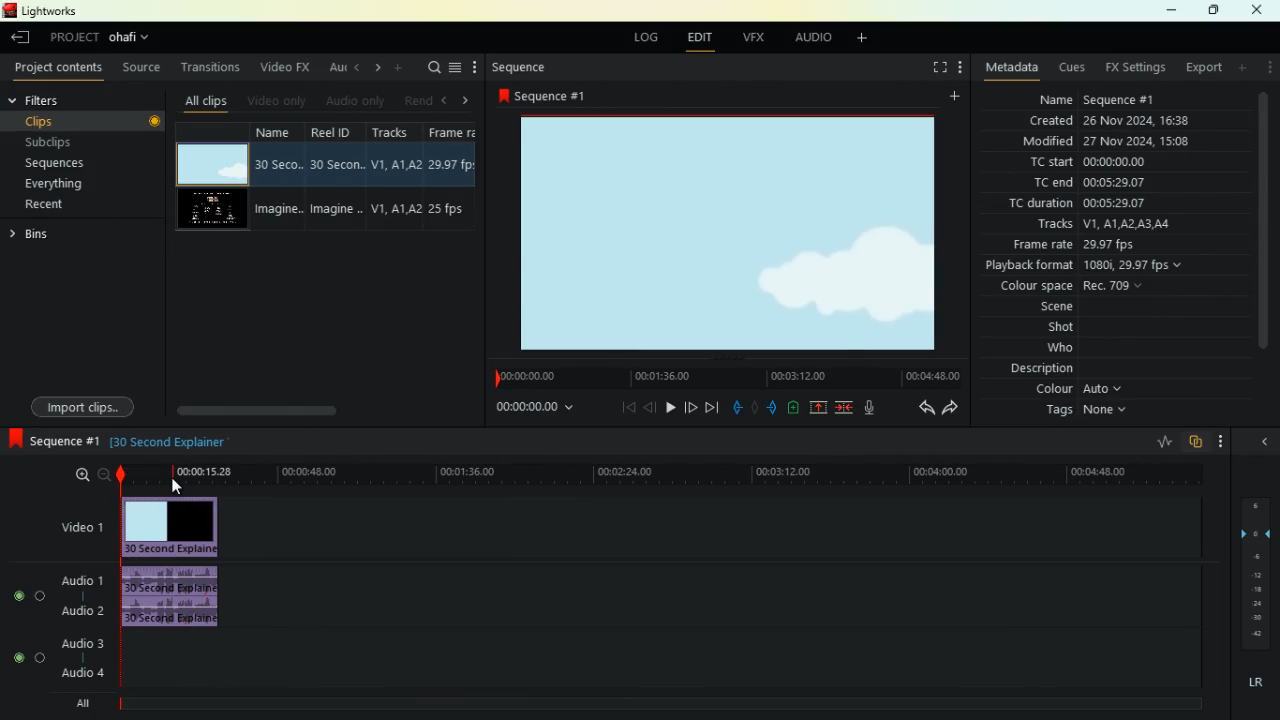 The image size is (1280, 720). What do you see at coordinates (1239, 67) in the screenshot?
I see `add` at bounding box center [1239, 67].